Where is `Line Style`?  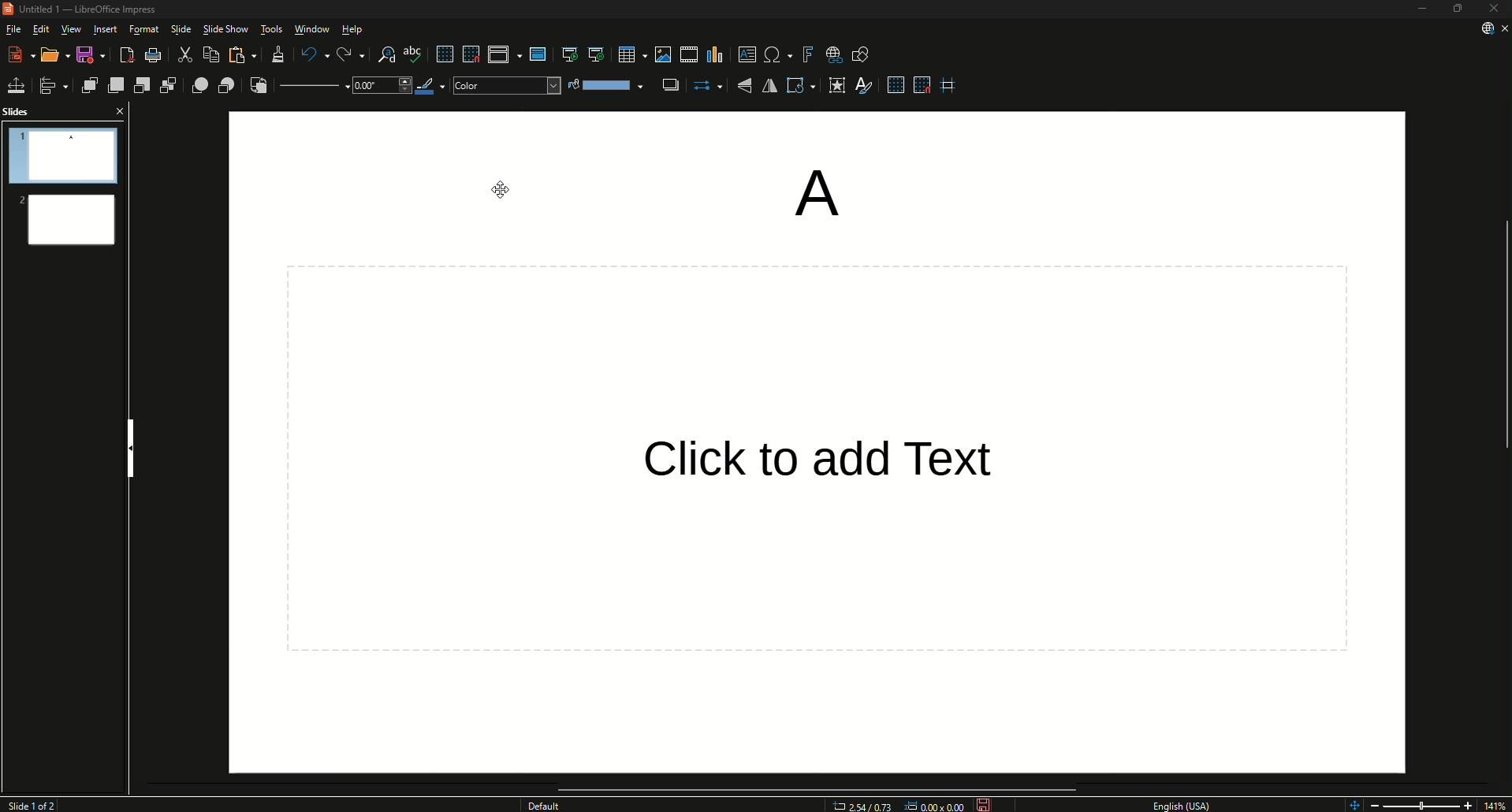 Line Style is located at coordinates (312, 87).